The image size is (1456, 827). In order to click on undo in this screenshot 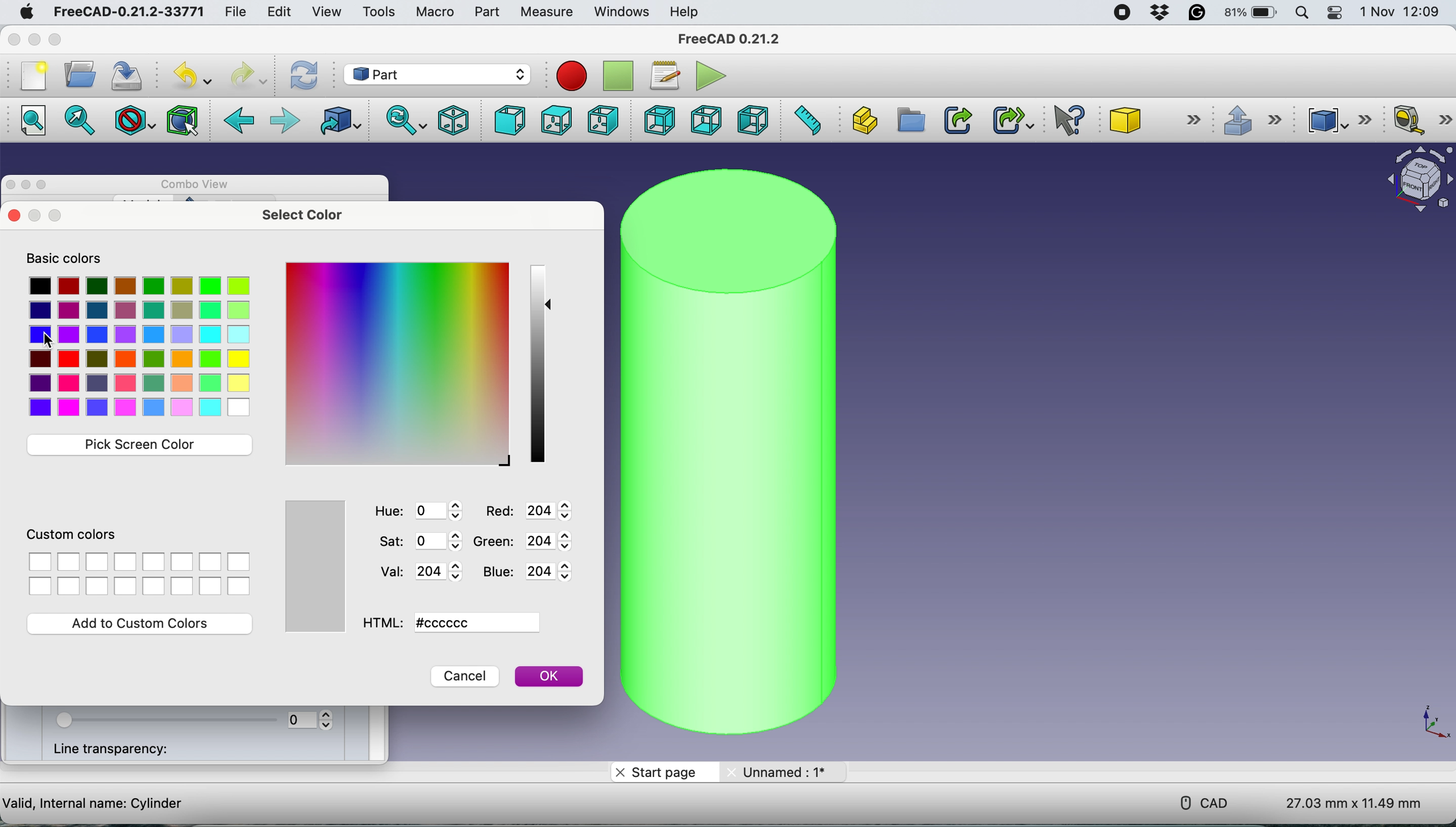, I will do `click(186, 76)`.